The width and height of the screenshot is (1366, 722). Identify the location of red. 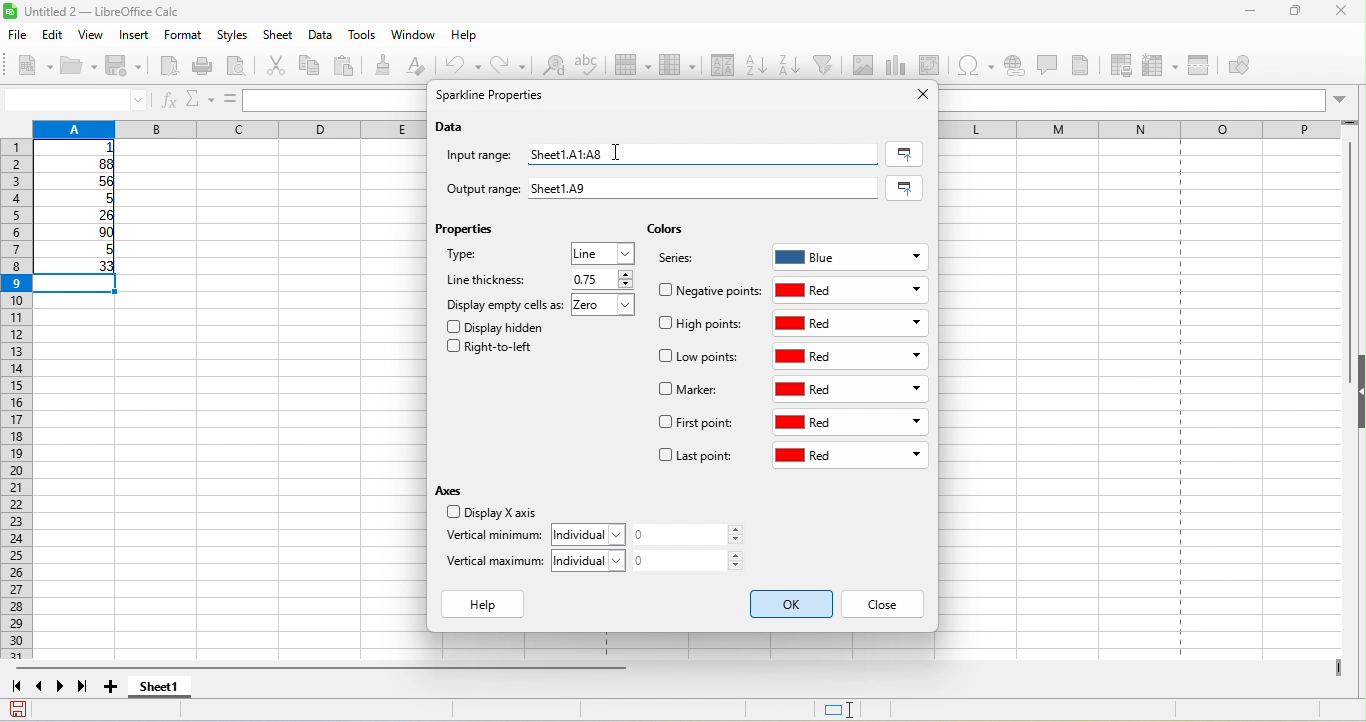
(854, 389).